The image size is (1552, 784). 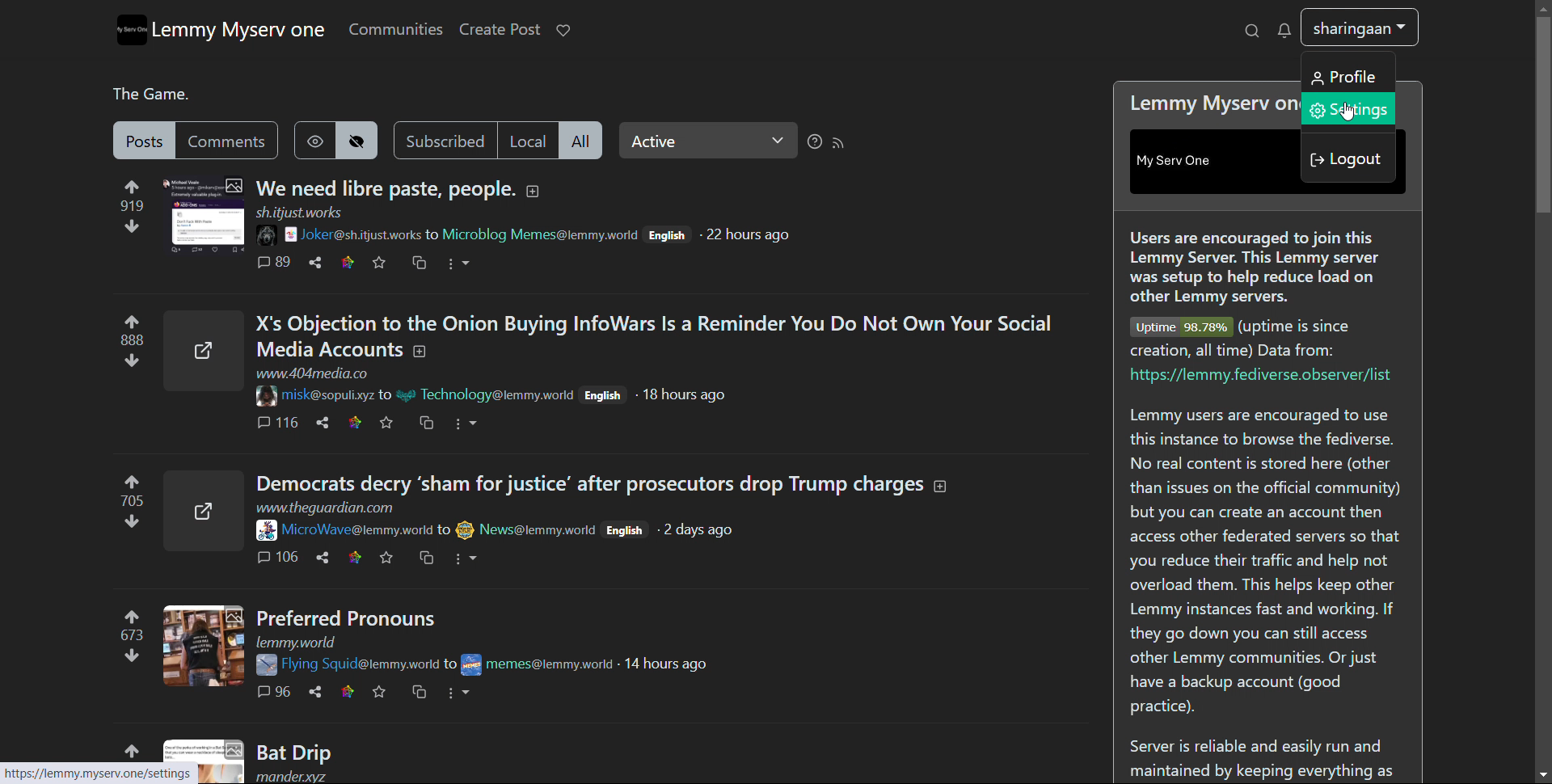 I want to click on 106 comments, so click(x=280, y=558).